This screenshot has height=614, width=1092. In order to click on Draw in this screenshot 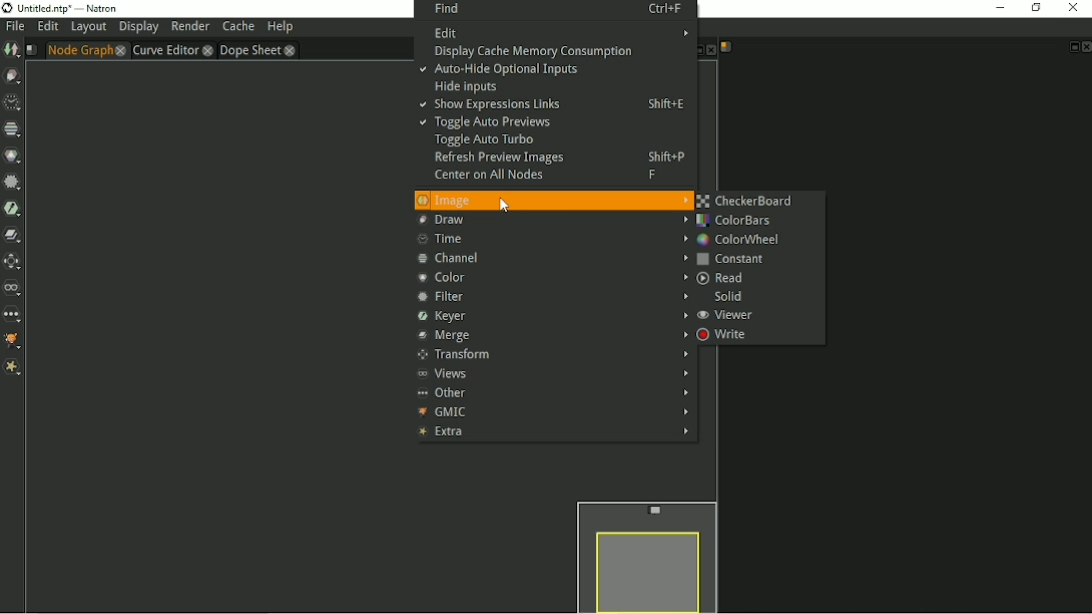, I will do `click(13, 76)`.